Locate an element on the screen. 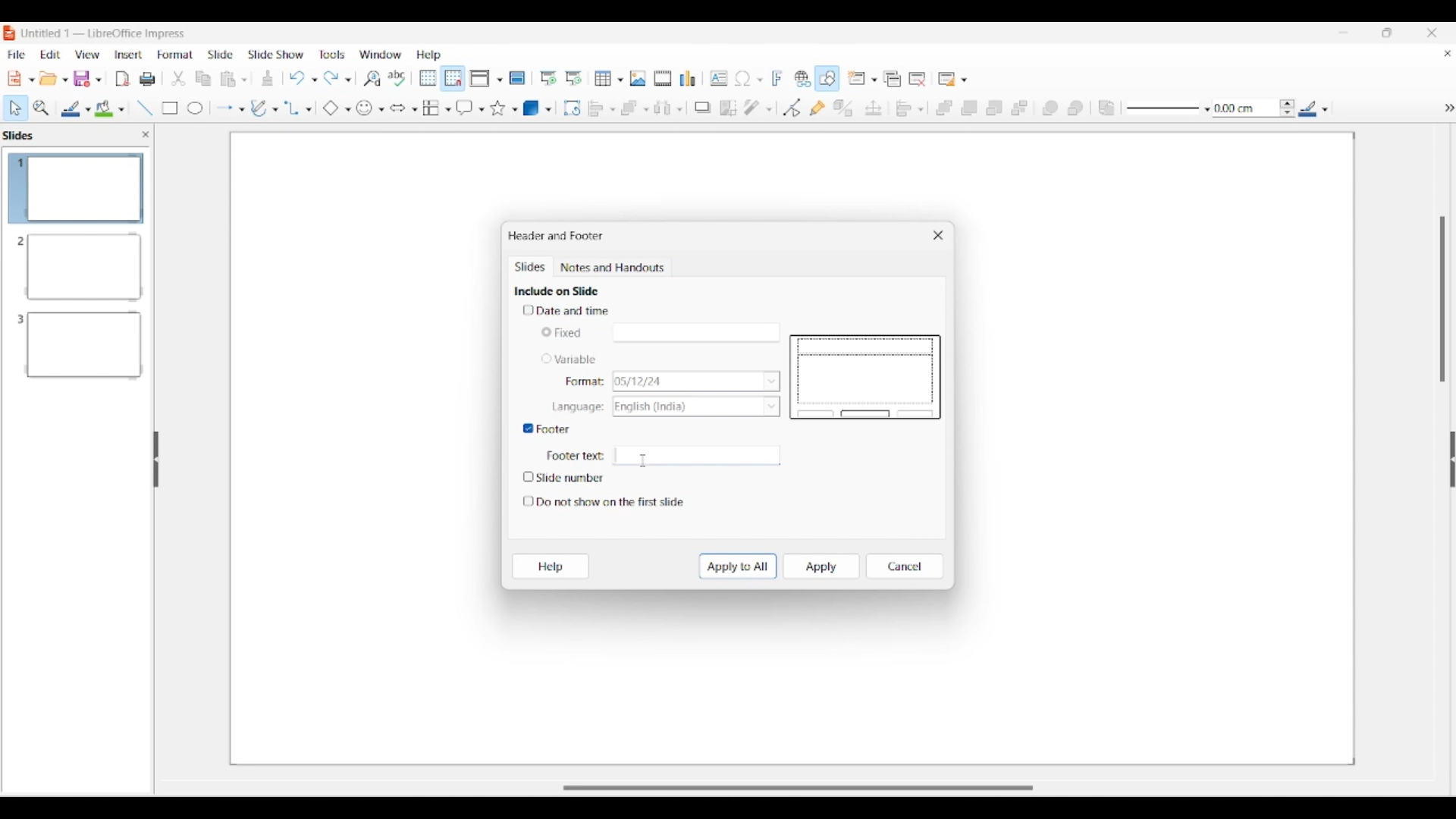 This screenshot has width=1456, height=819. Slide layout is located at coordinates (954, 79).